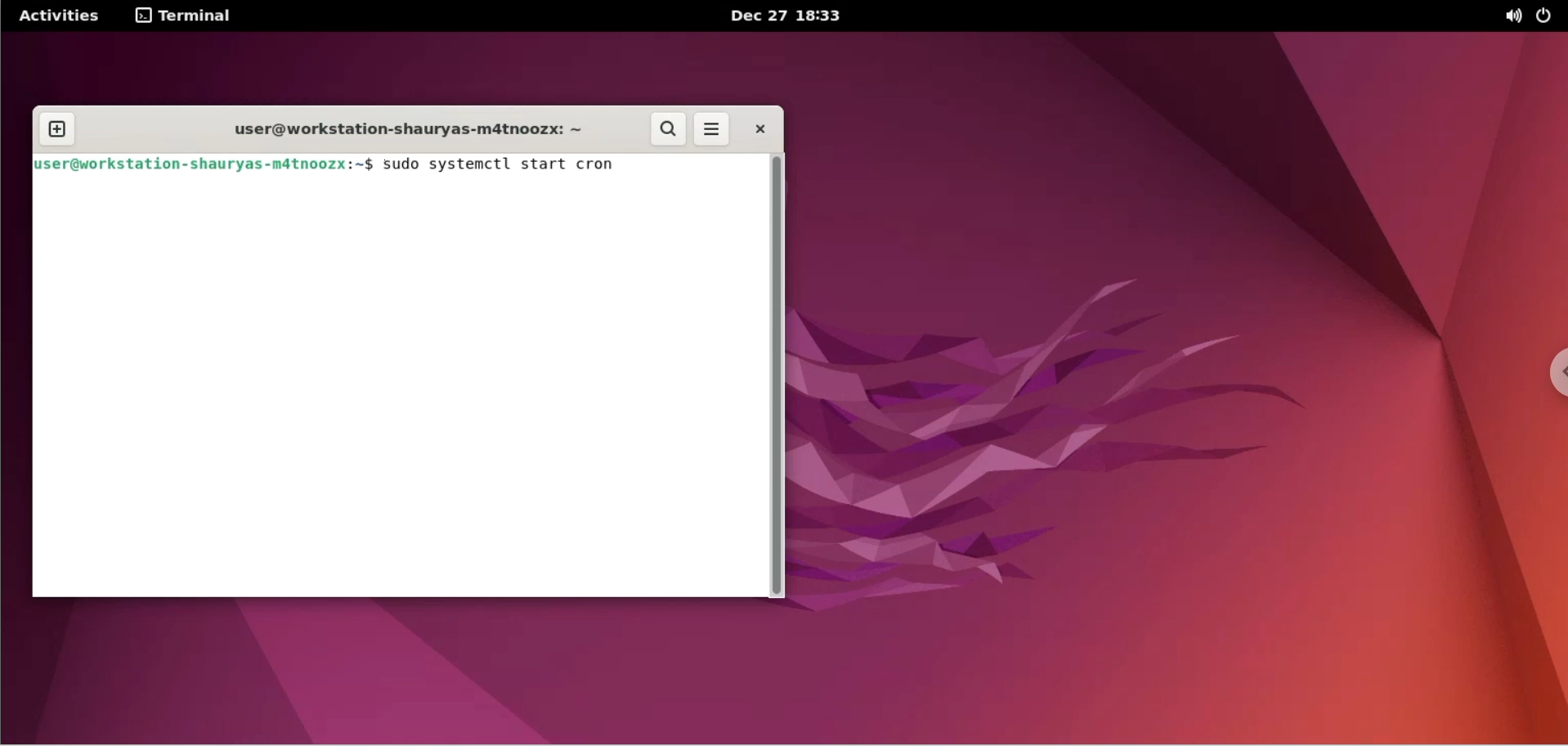  Describe the element at coordinates (190, 16) in the screenshot. I see `terminal ` at that location.